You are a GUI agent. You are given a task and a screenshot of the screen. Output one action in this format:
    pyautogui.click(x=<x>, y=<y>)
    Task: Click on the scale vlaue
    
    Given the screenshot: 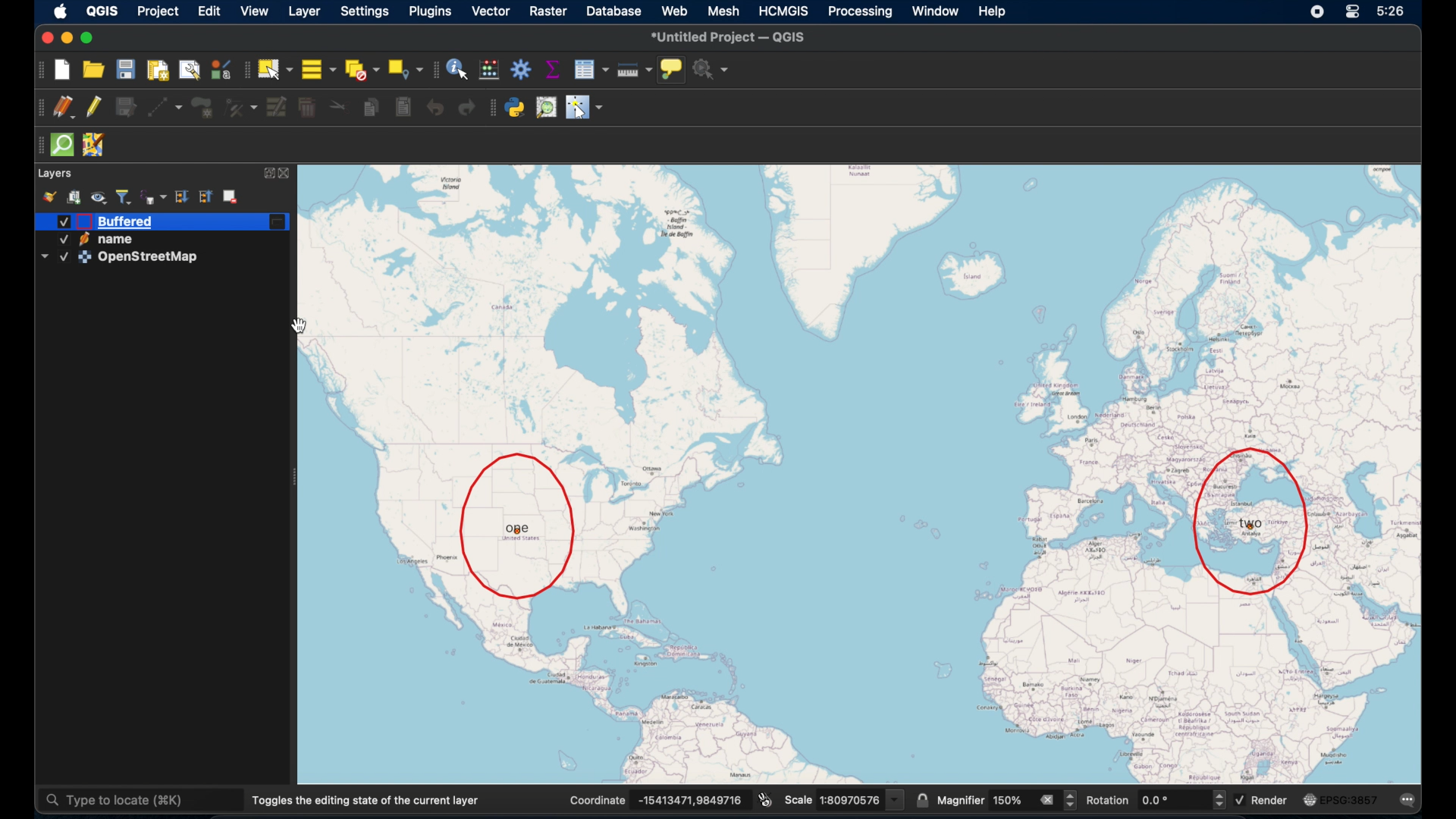 What is the action you would take?
    pyautogui.click(x=850, y=799)
    